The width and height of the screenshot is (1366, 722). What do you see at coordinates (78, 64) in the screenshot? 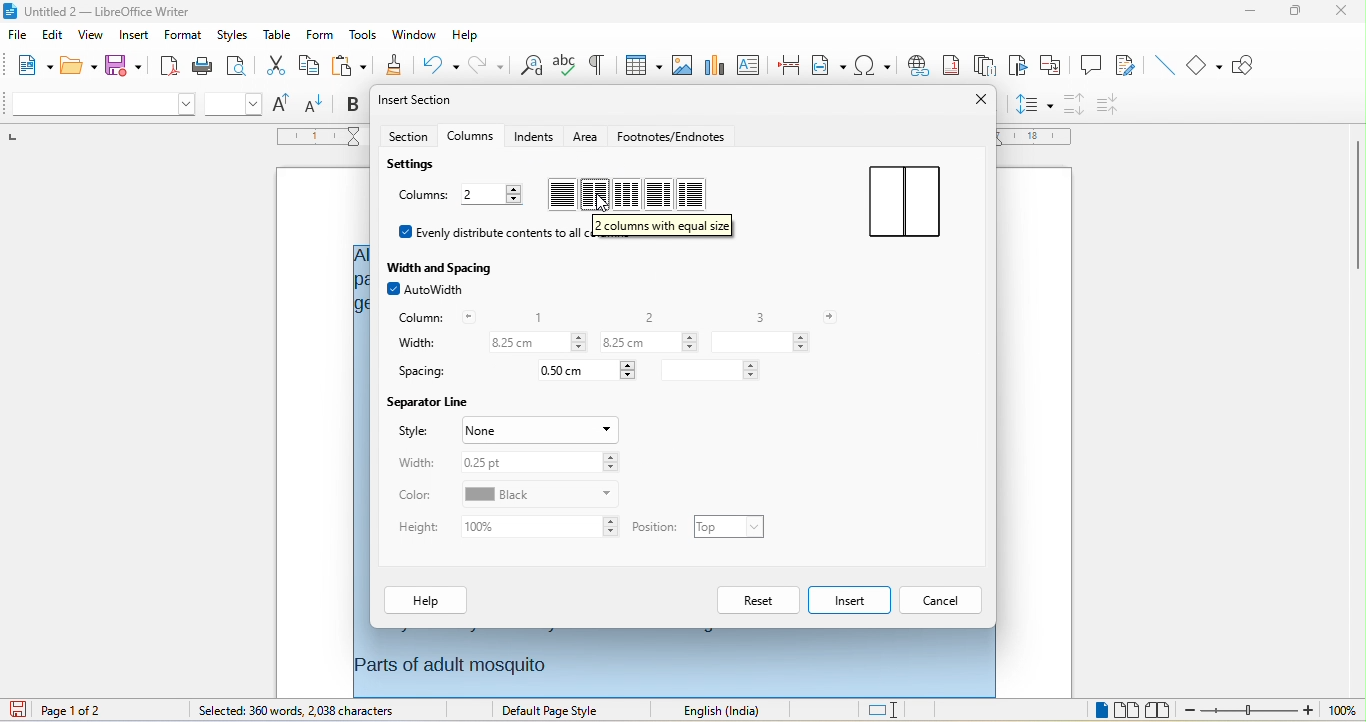
I see `open` at bounding box center [78, 64].